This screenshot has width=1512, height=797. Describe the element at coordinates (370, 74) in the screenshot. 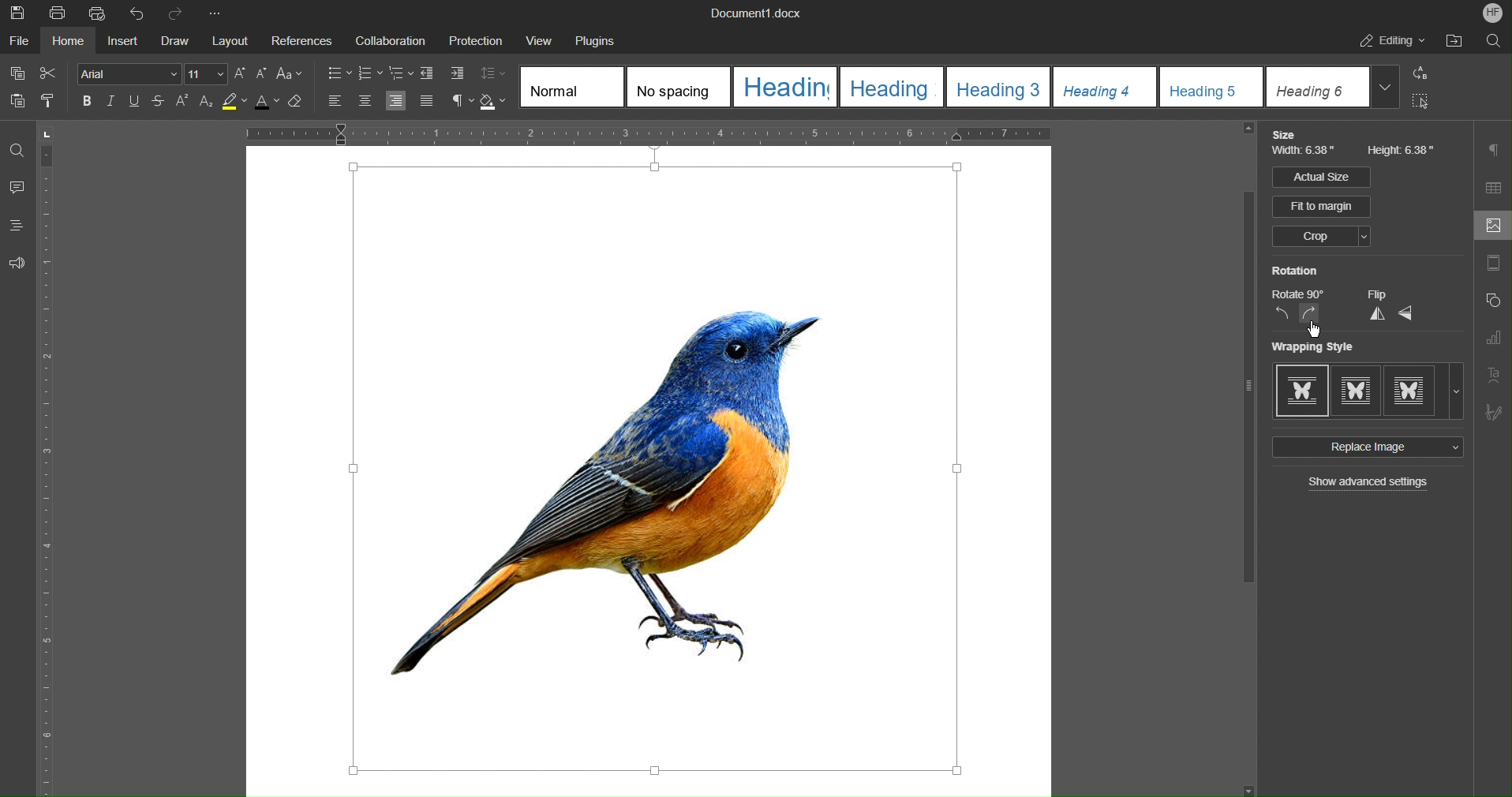

I see `Numbered List` at that location.